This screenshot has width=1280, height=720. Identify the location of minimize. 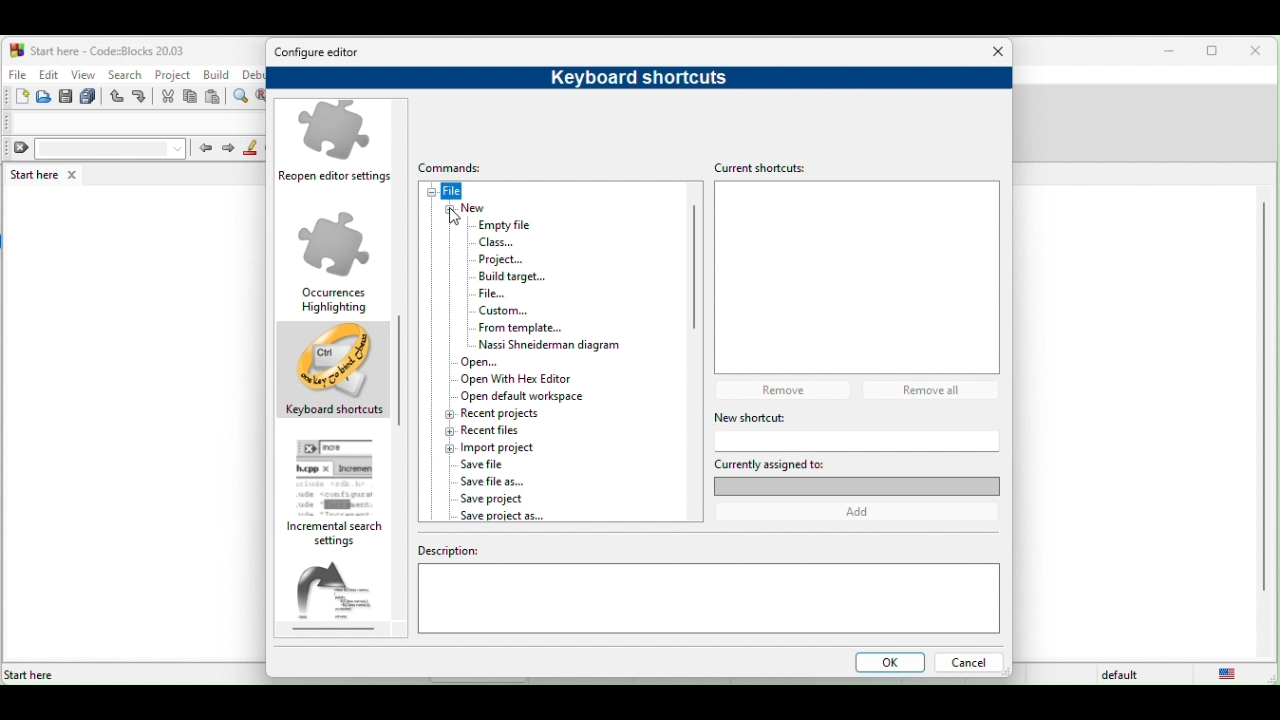
(1170, 52).